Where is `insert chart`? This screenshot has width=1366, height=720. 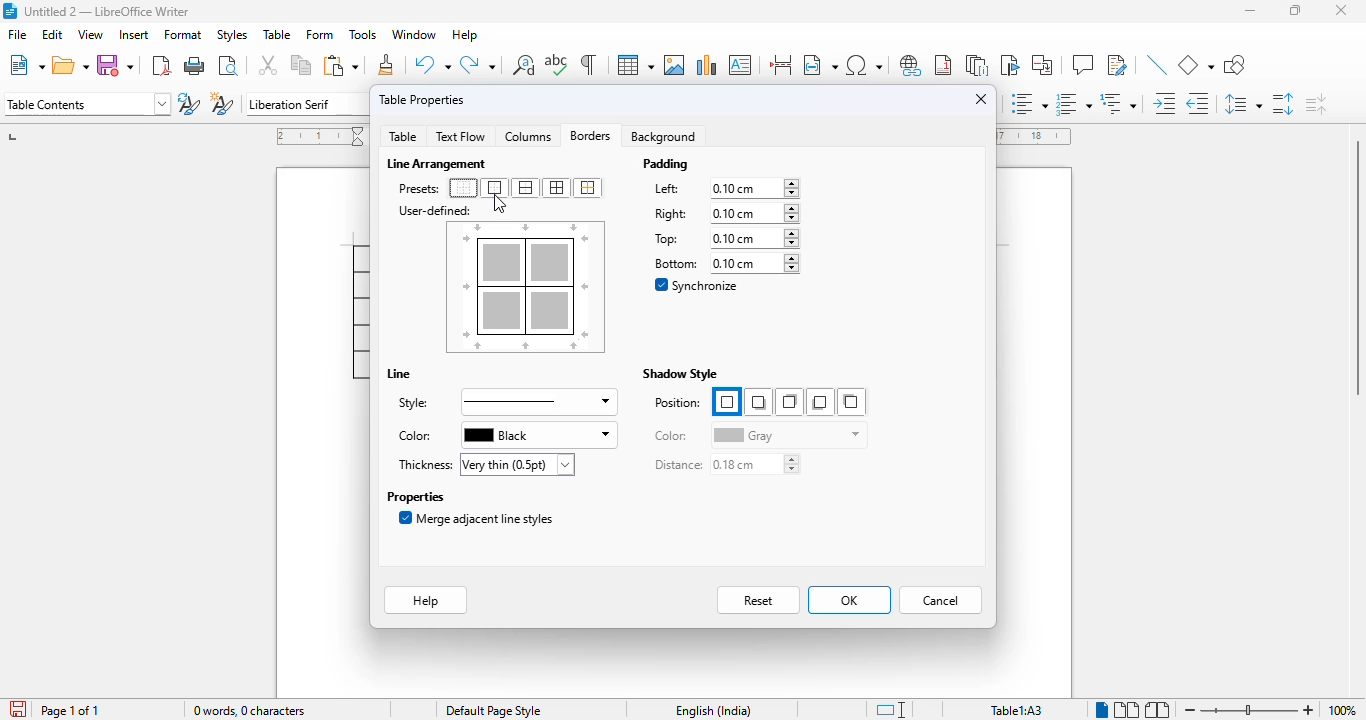 insert chart is located at coordinates (707, 65).